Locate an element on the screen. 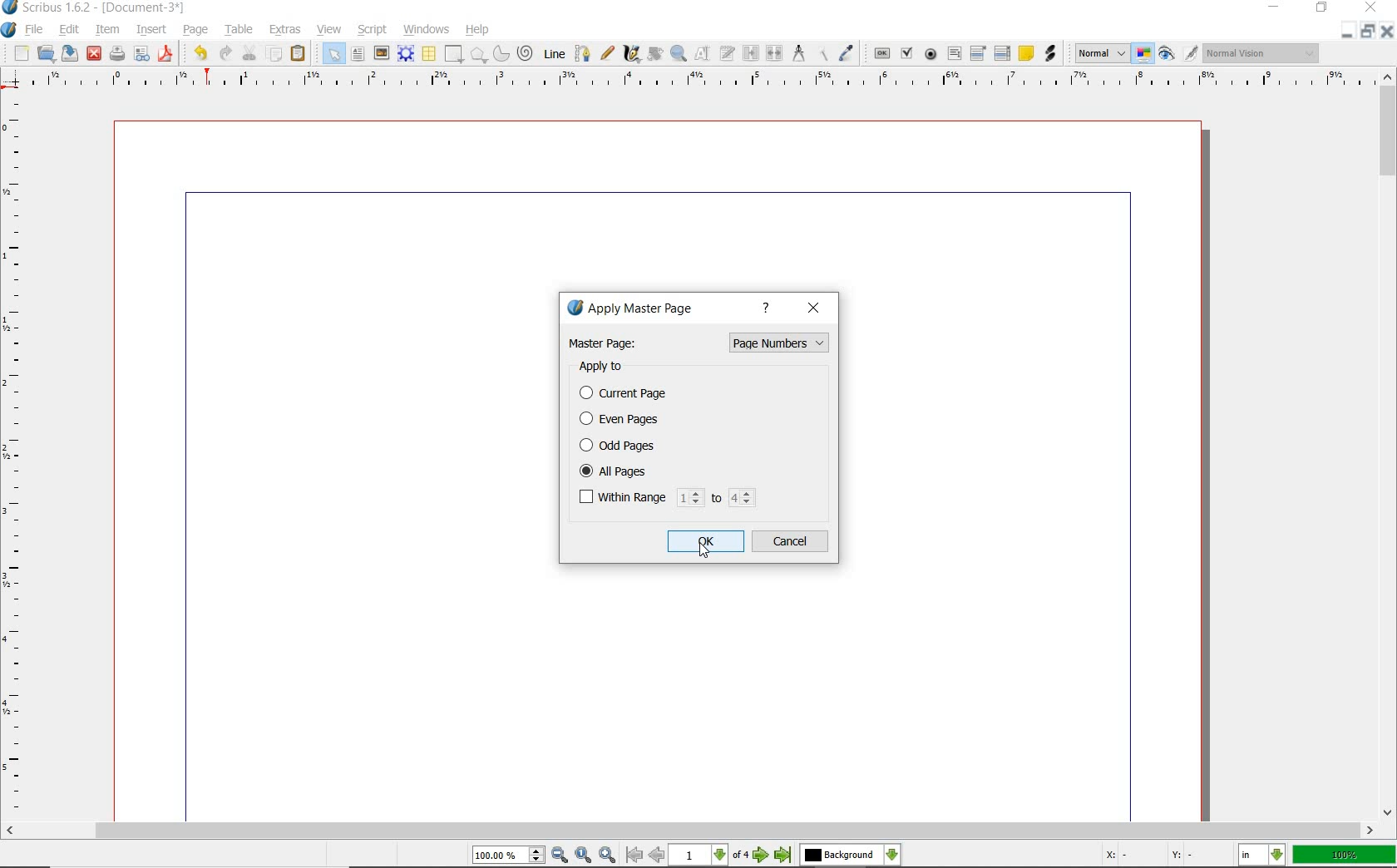  unlink text frames is located at coordinates (775, 55).